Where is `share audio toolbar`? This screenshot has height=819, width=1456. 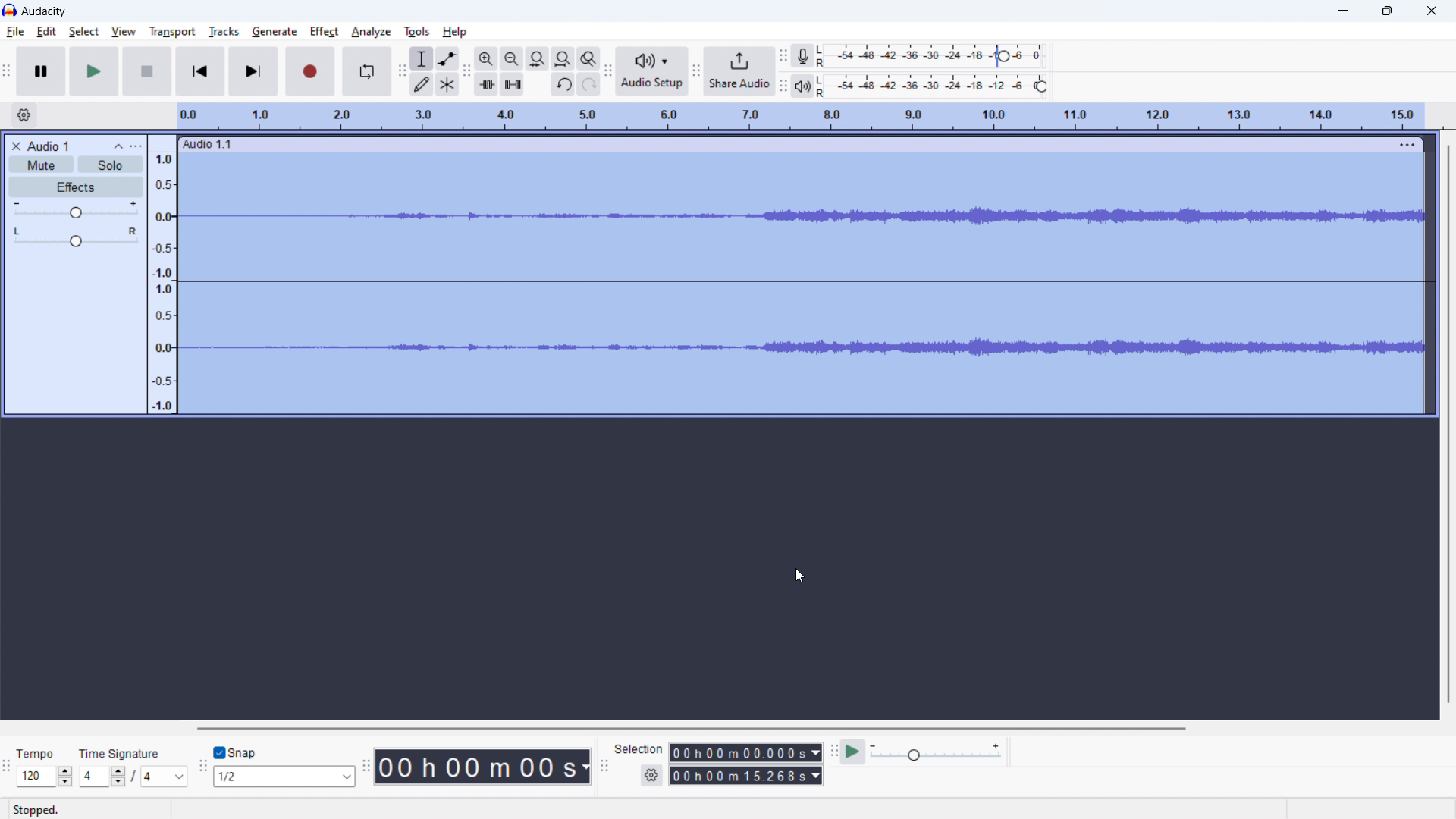
share audio toolbar is located at coordinates (695, 70).